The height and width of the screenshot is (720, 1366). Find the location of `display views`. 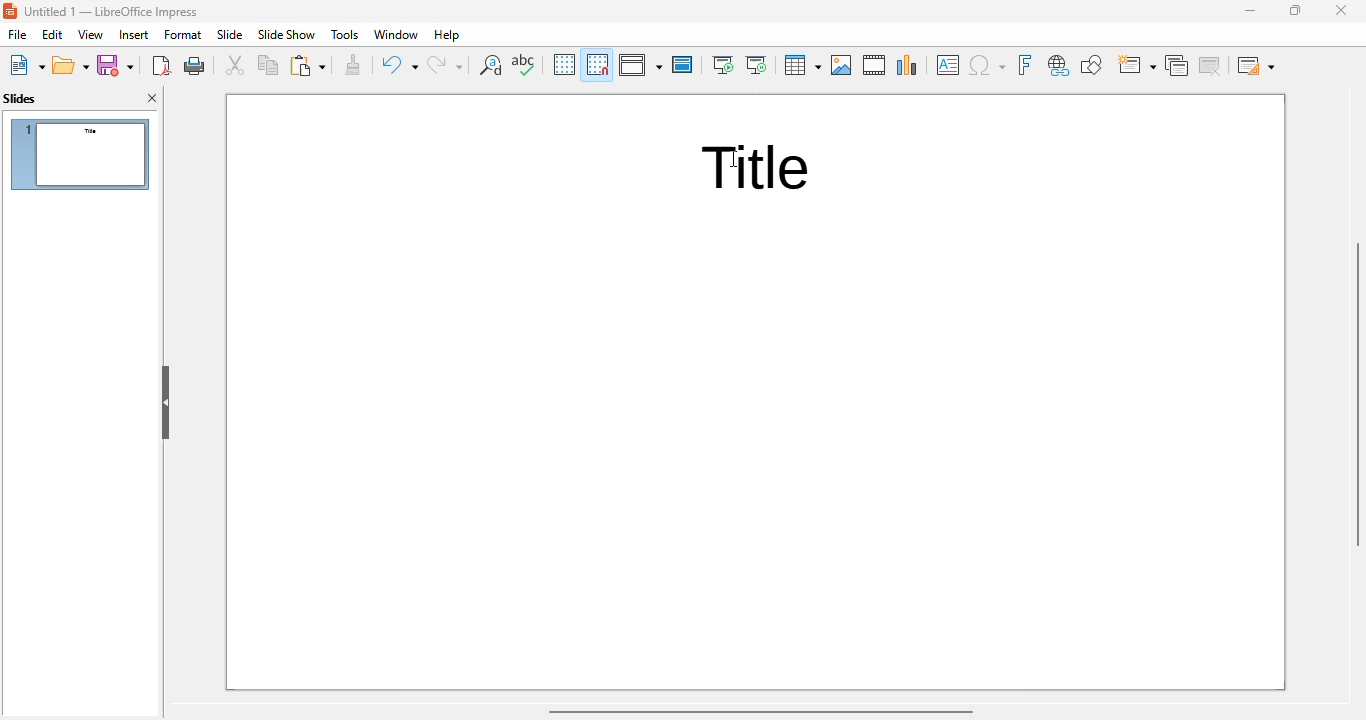

display views is located at coordinates (641, 65).